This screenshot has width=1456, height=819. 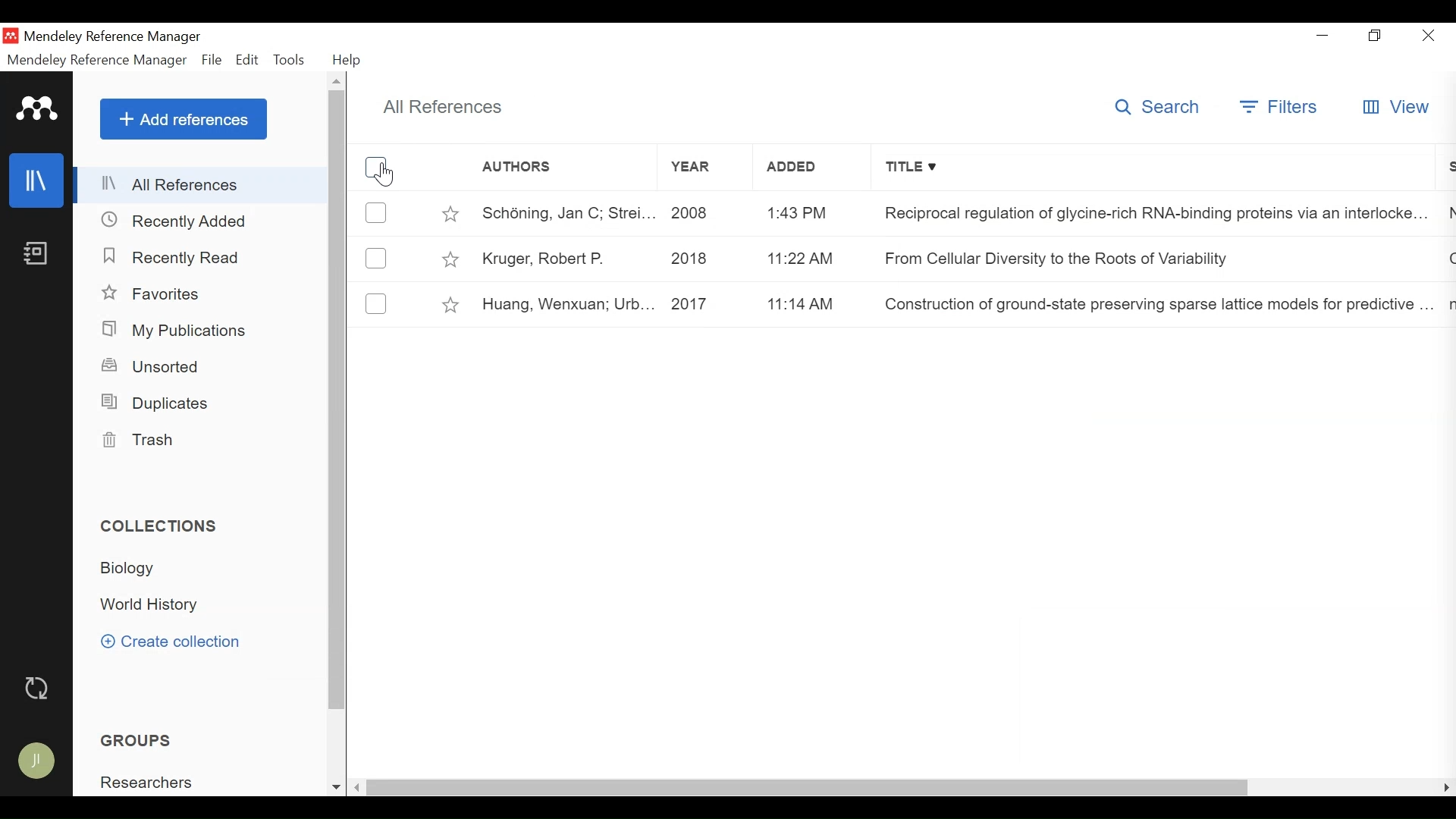 I want to click on Title, so click(x=1150, y=170).